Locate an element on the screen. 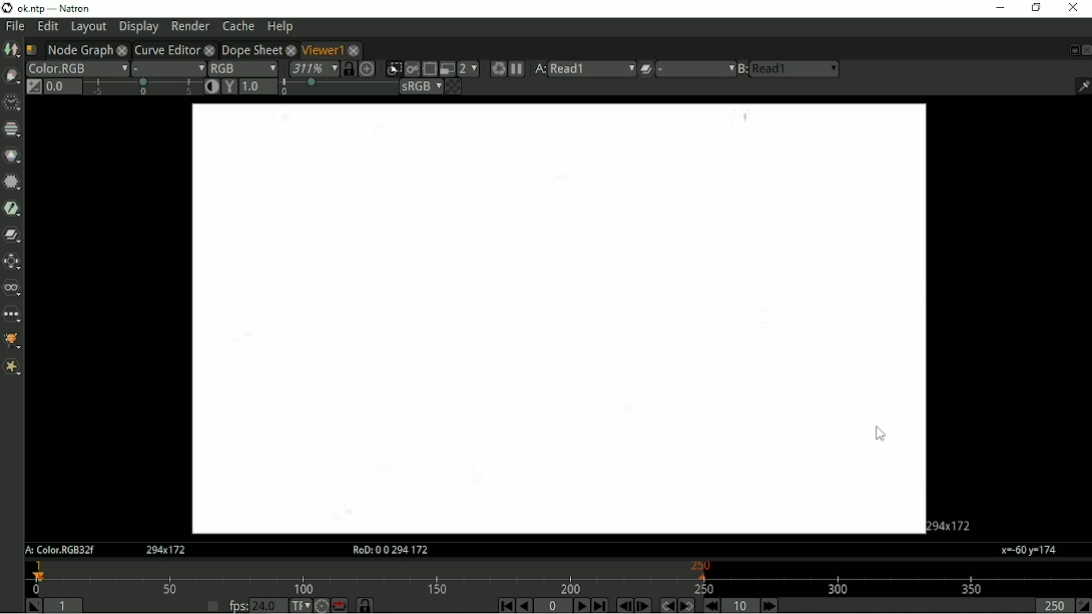 The height and width of the screenshot is (614, 1092). Switch between "neutral" 1.0 gain f-stop and the previous setting is located at coordinates (34, 86).